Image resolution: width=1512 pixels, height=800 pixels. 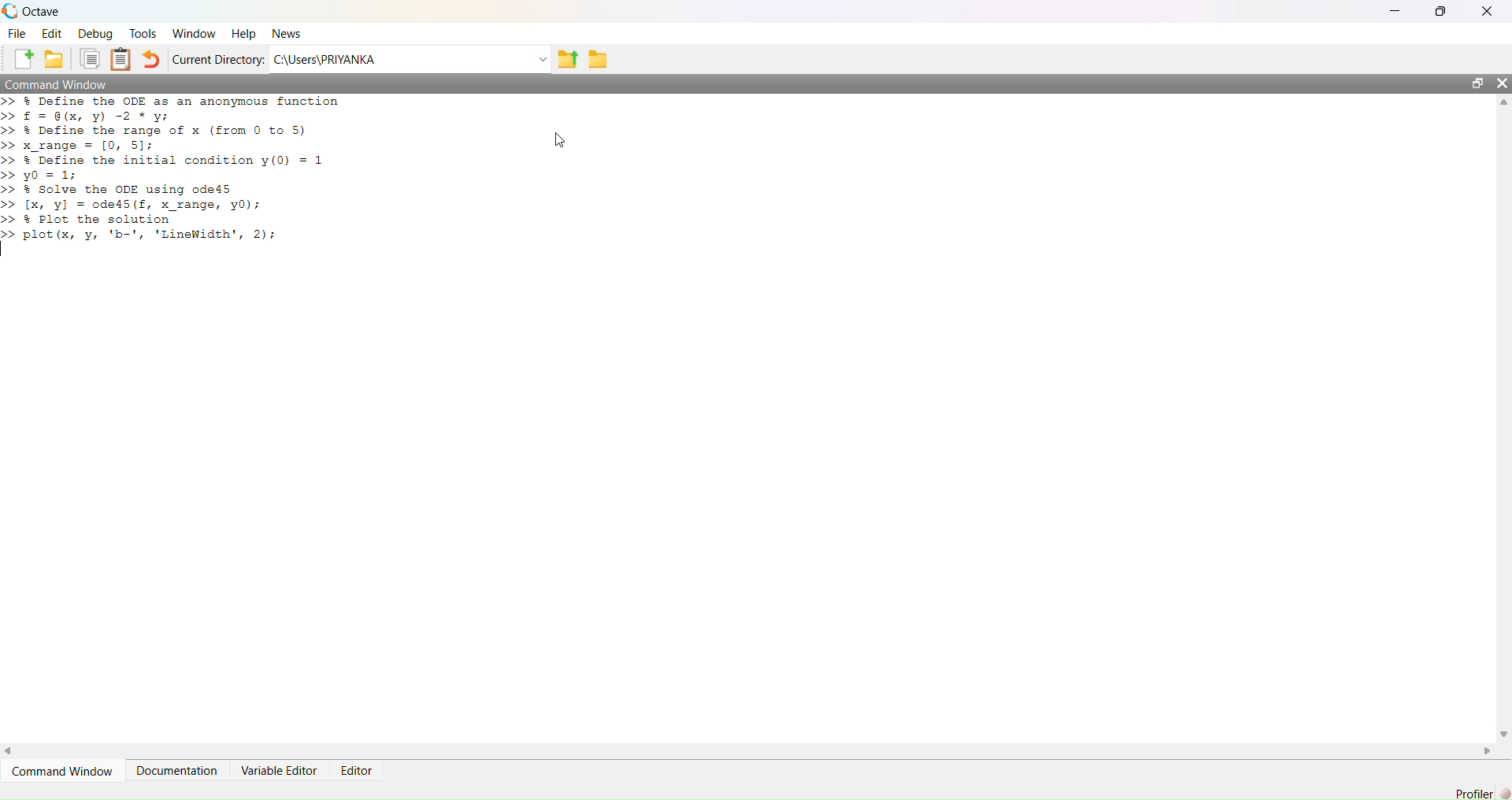 I want to click on Help, so click(x=243, y=34).